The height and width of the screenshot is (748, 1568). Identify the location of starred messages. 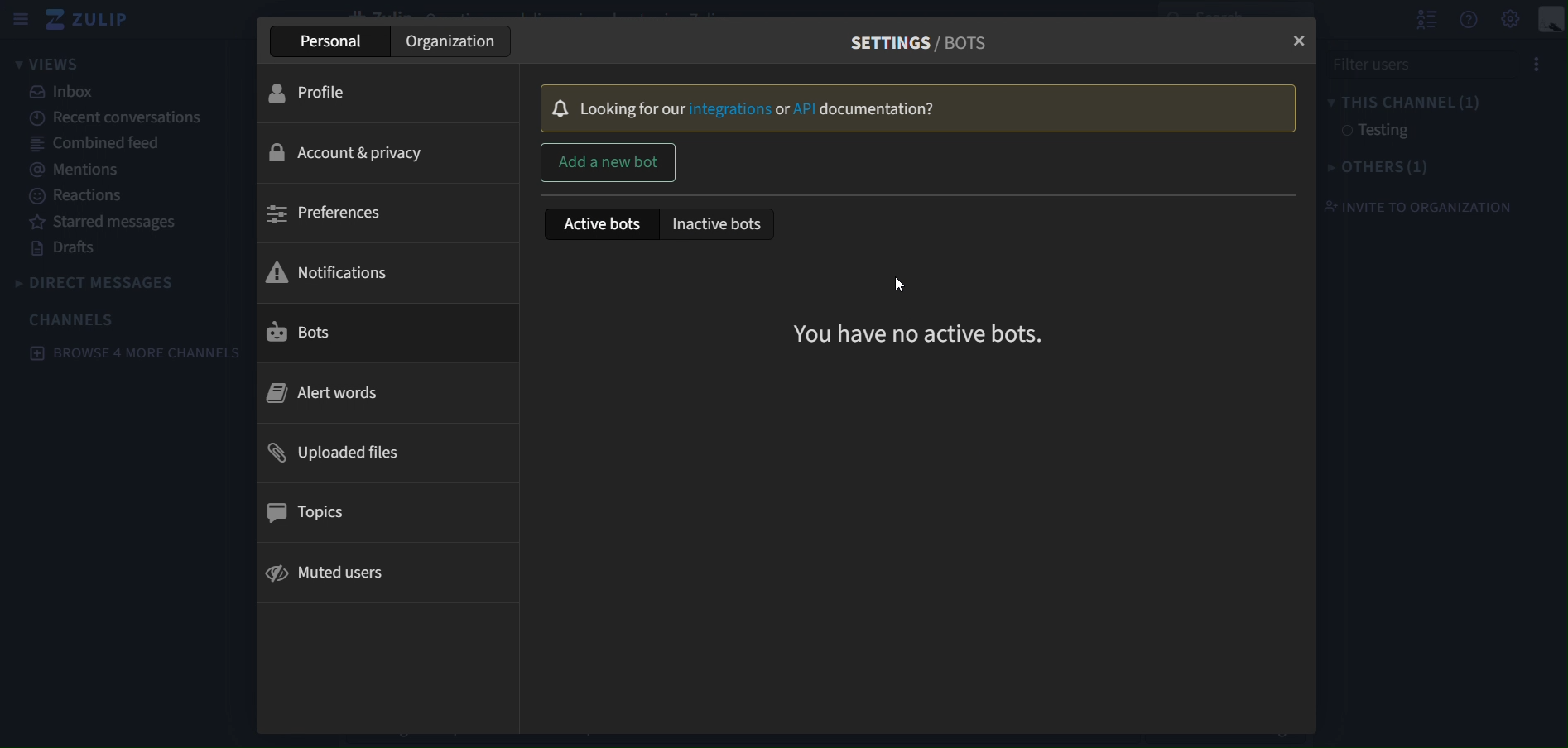
(106, 223).